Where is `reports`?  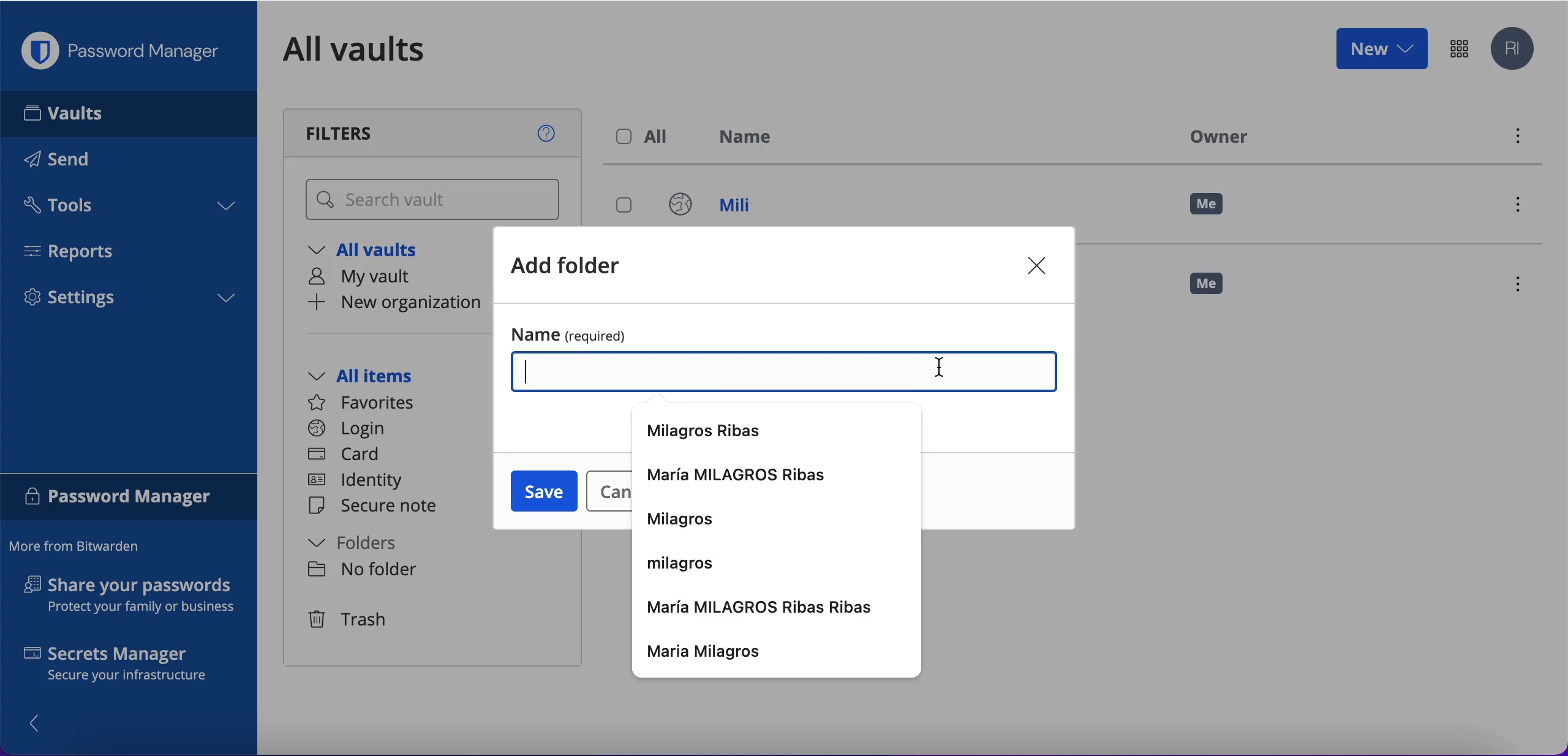 reports is located at coordinates (78, 251).